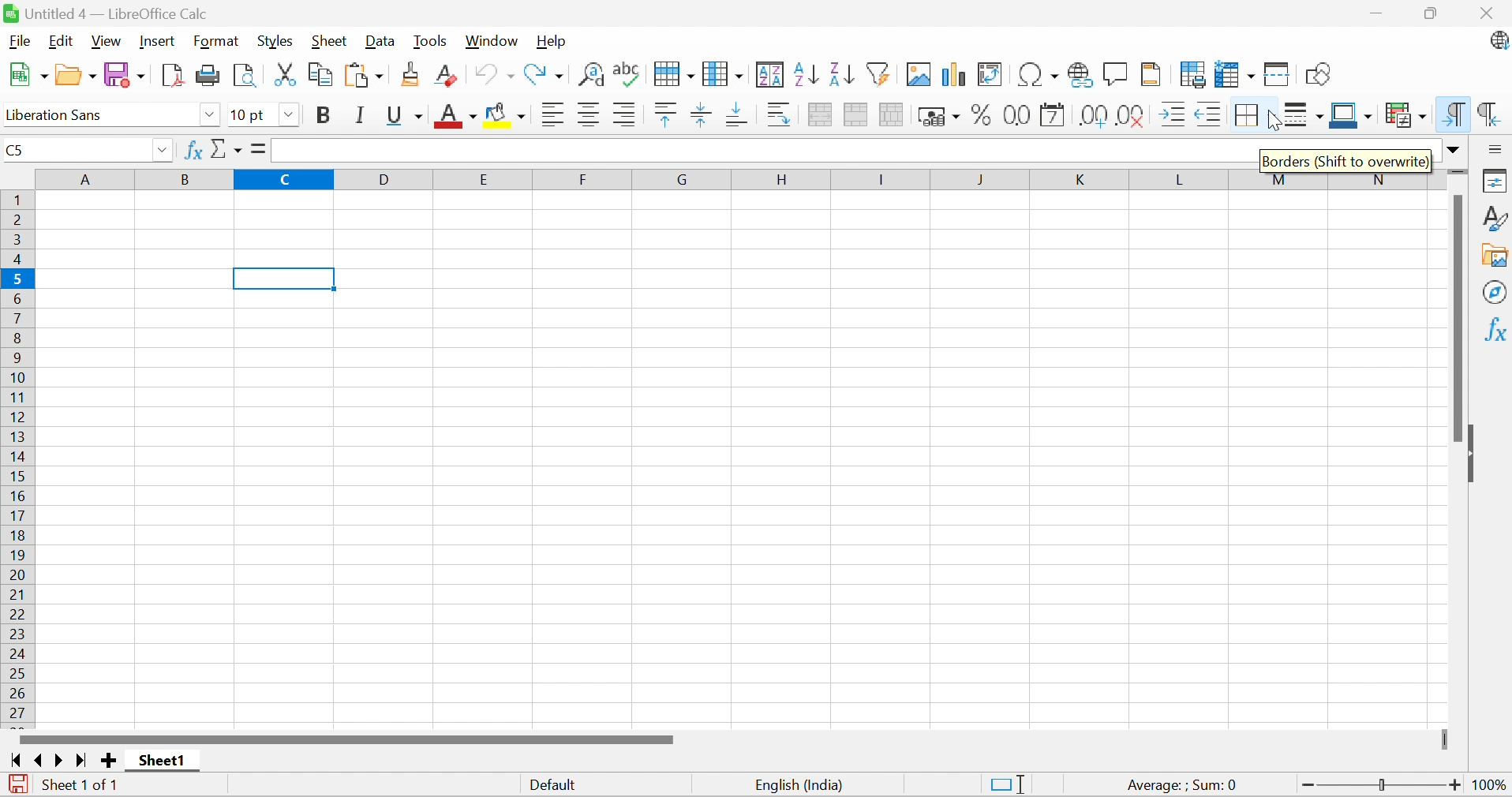 This screenshot has width=1512, height=797. What do you see at coordinates (79, 761) in the screenshot?
I see `Scroll to last sheet` at bounding box center [79, 761].